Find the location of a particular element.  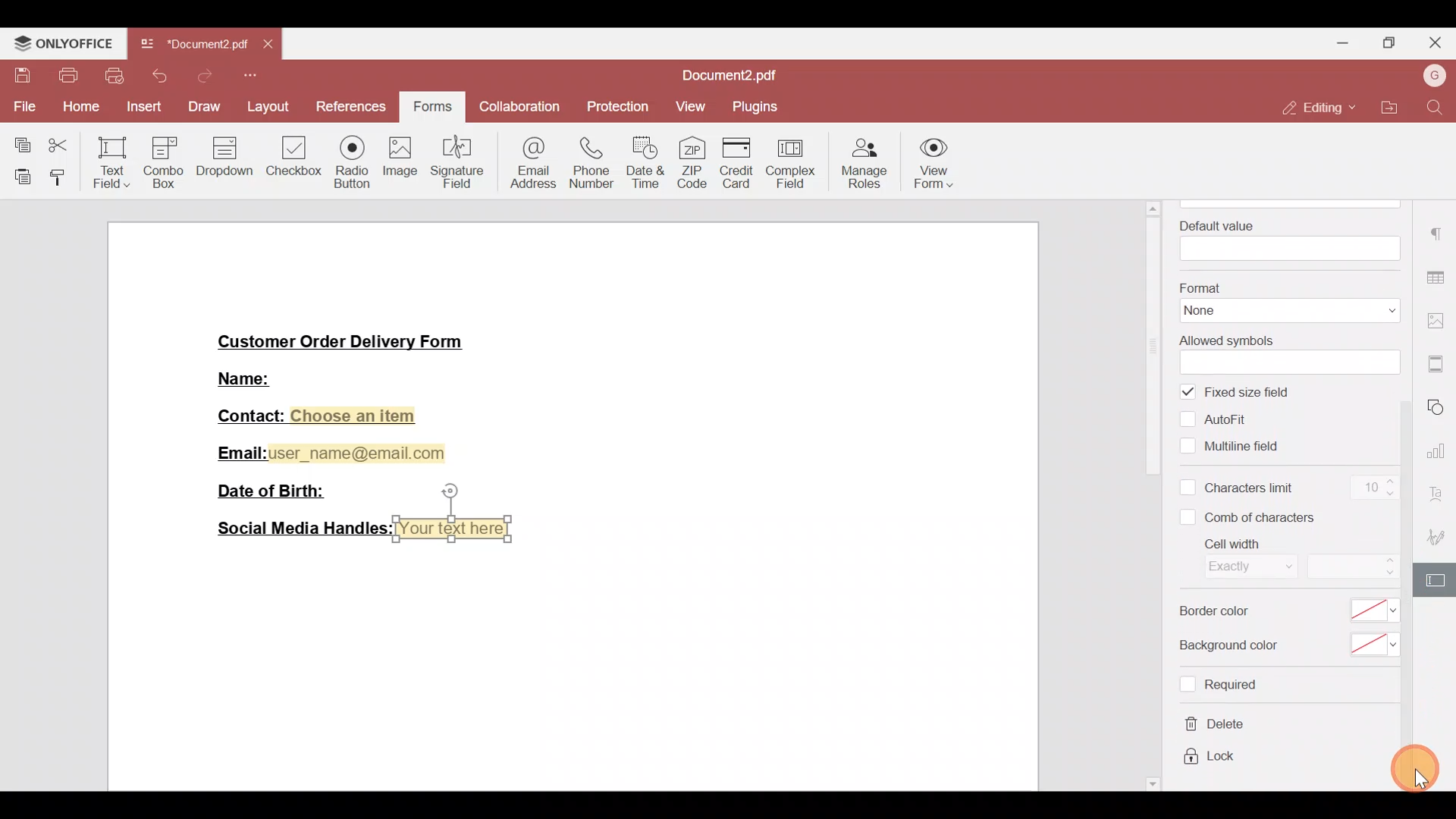

ZIP code is located at coordinates (692, 159).